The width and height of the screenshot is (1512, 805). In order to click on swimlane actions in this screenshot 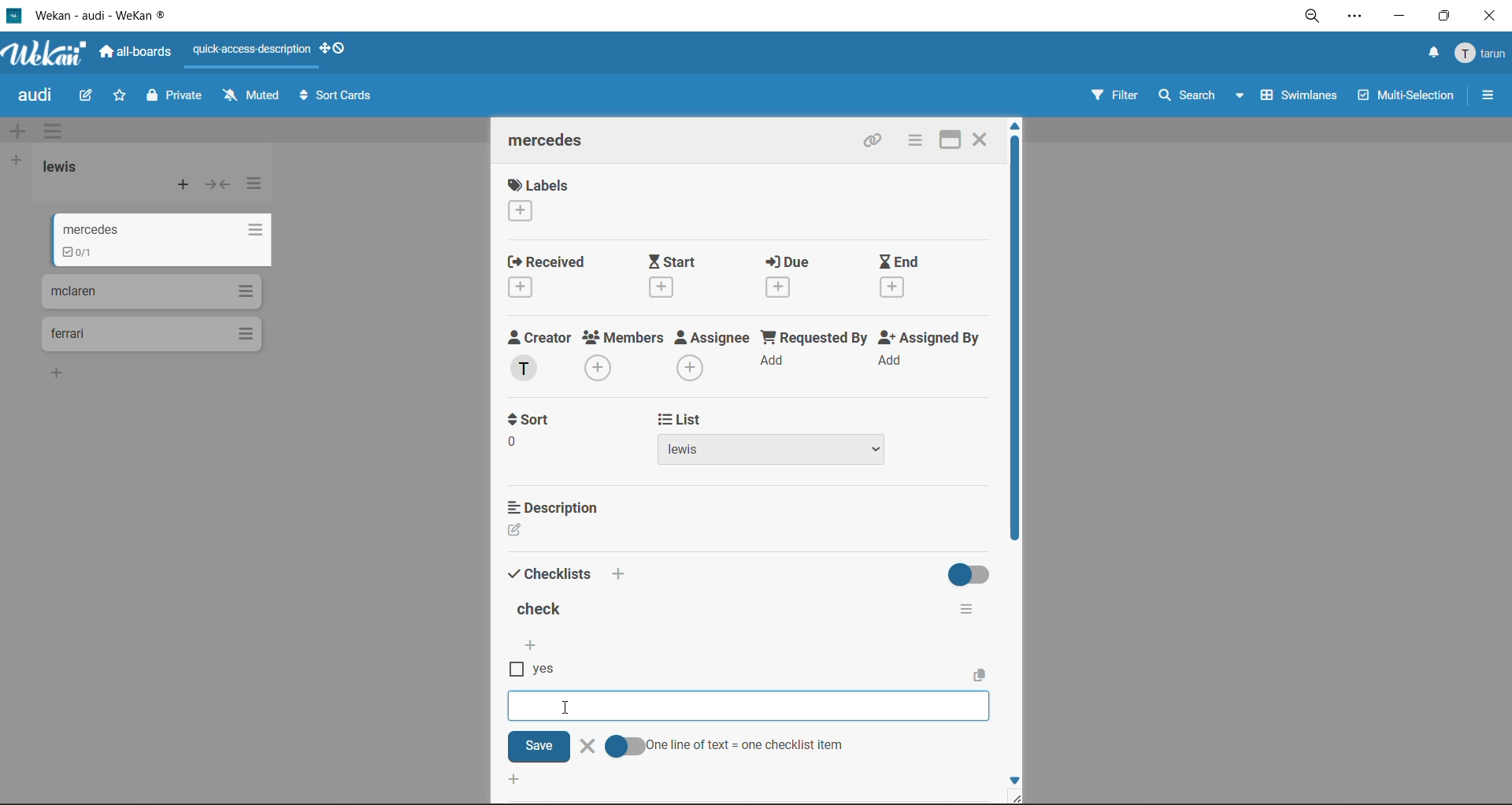, I will do `click(57, 133)`.